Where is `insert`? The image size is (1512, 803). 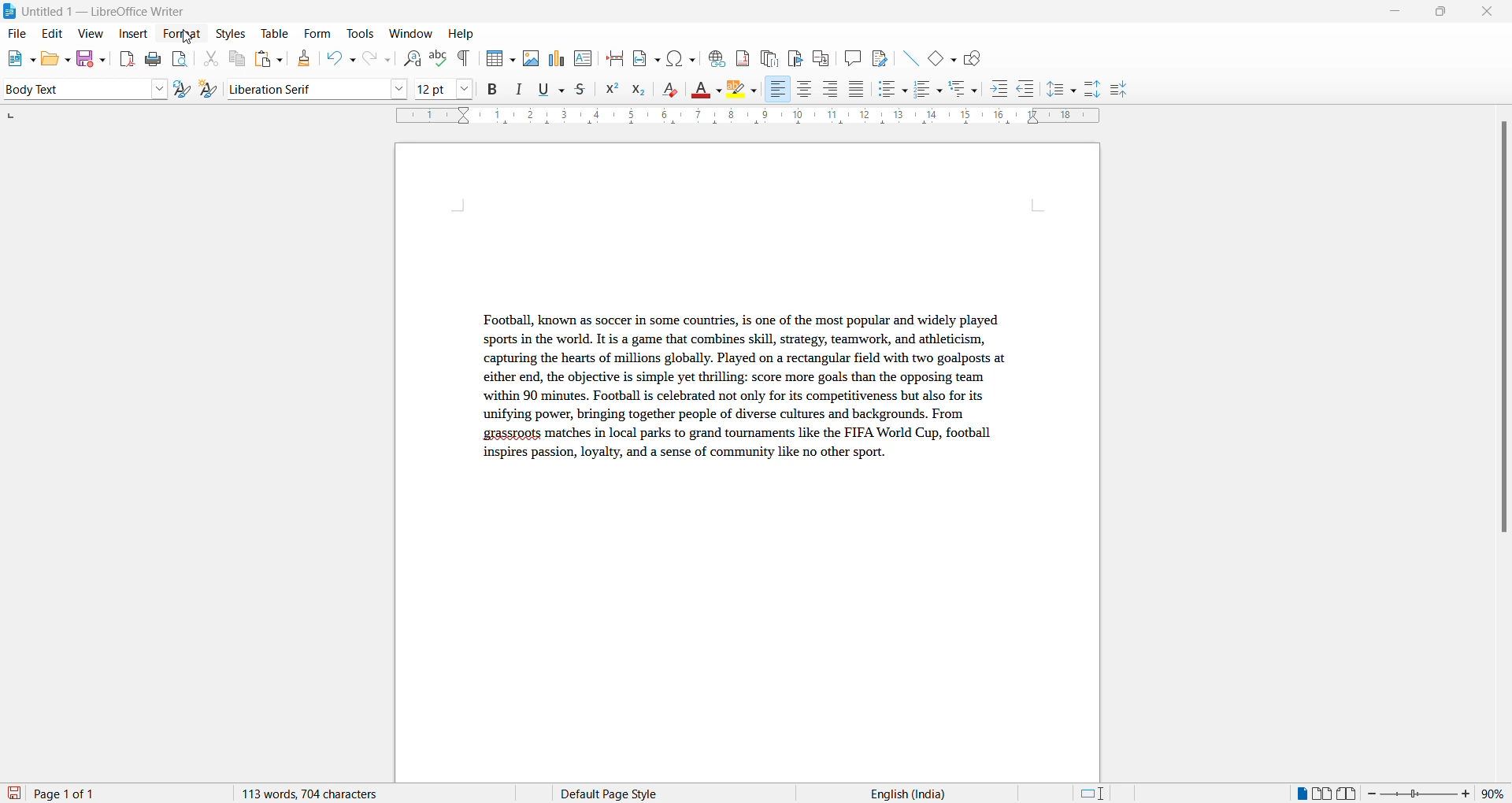 insert is located at coordinates (132, 35).